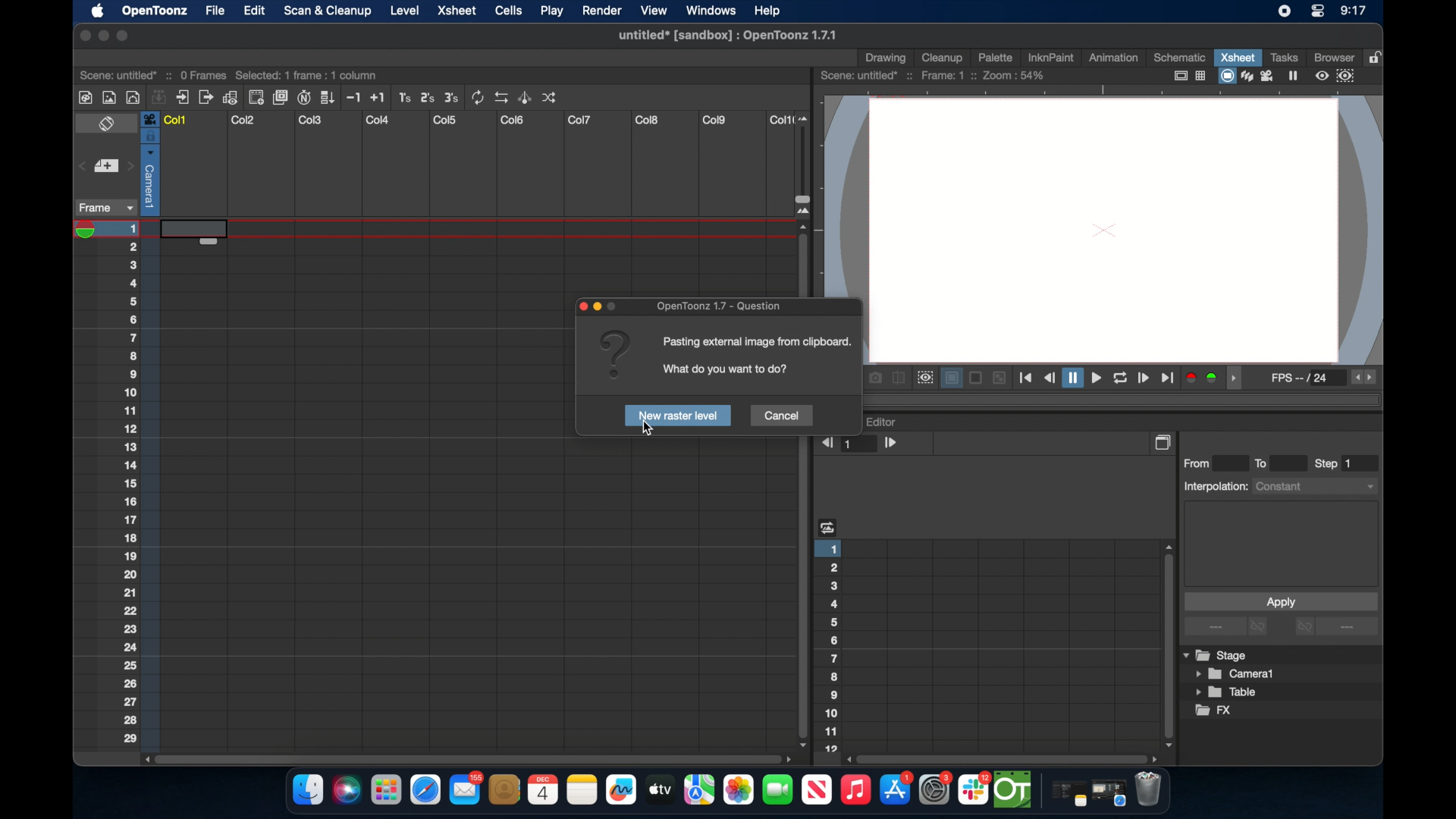 Image resolution: width=1456 pixels, height=819 pixels. I want to click on function editor, so click(883, 420).